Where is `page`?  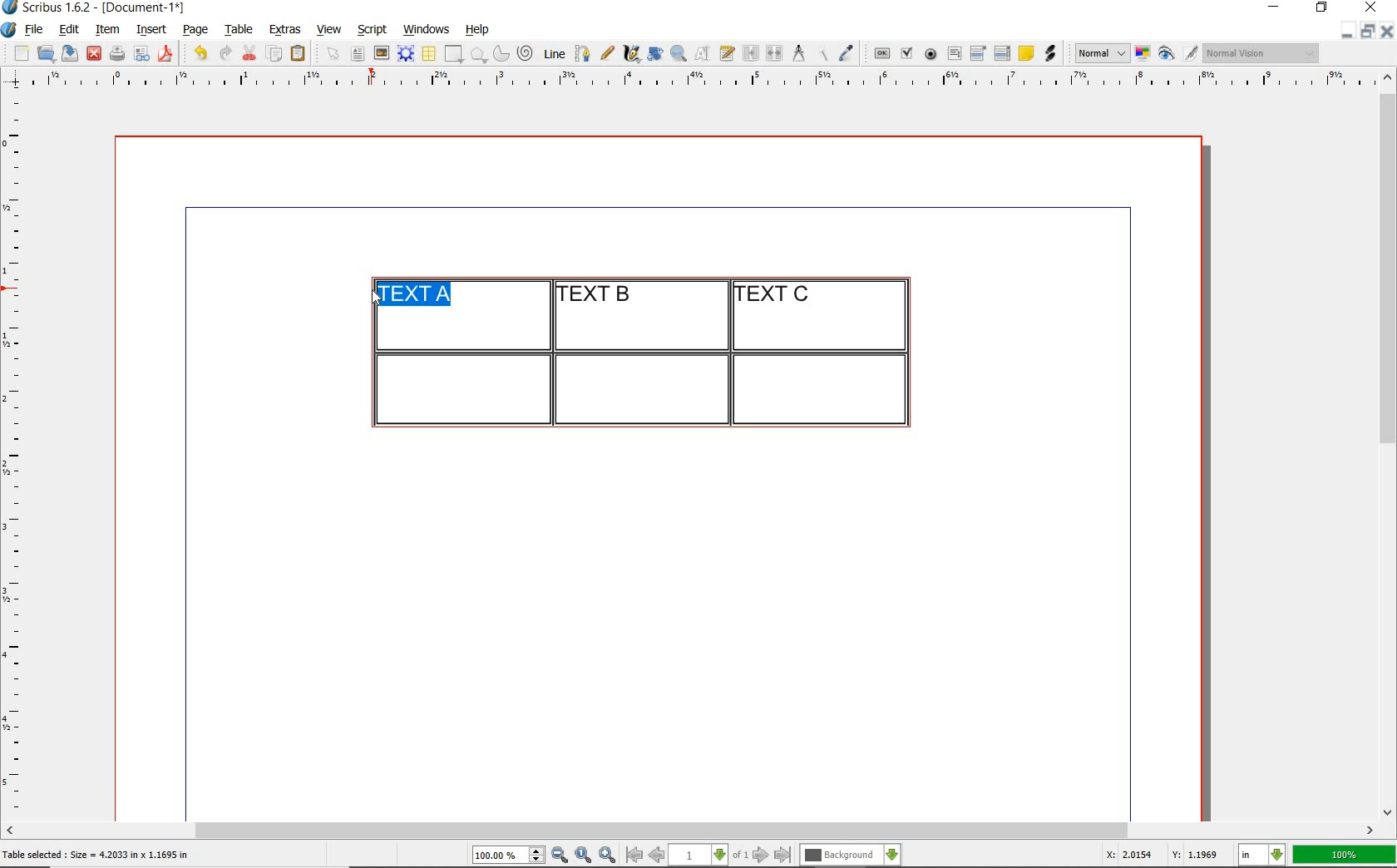 page is located at coordinates (195, 29).